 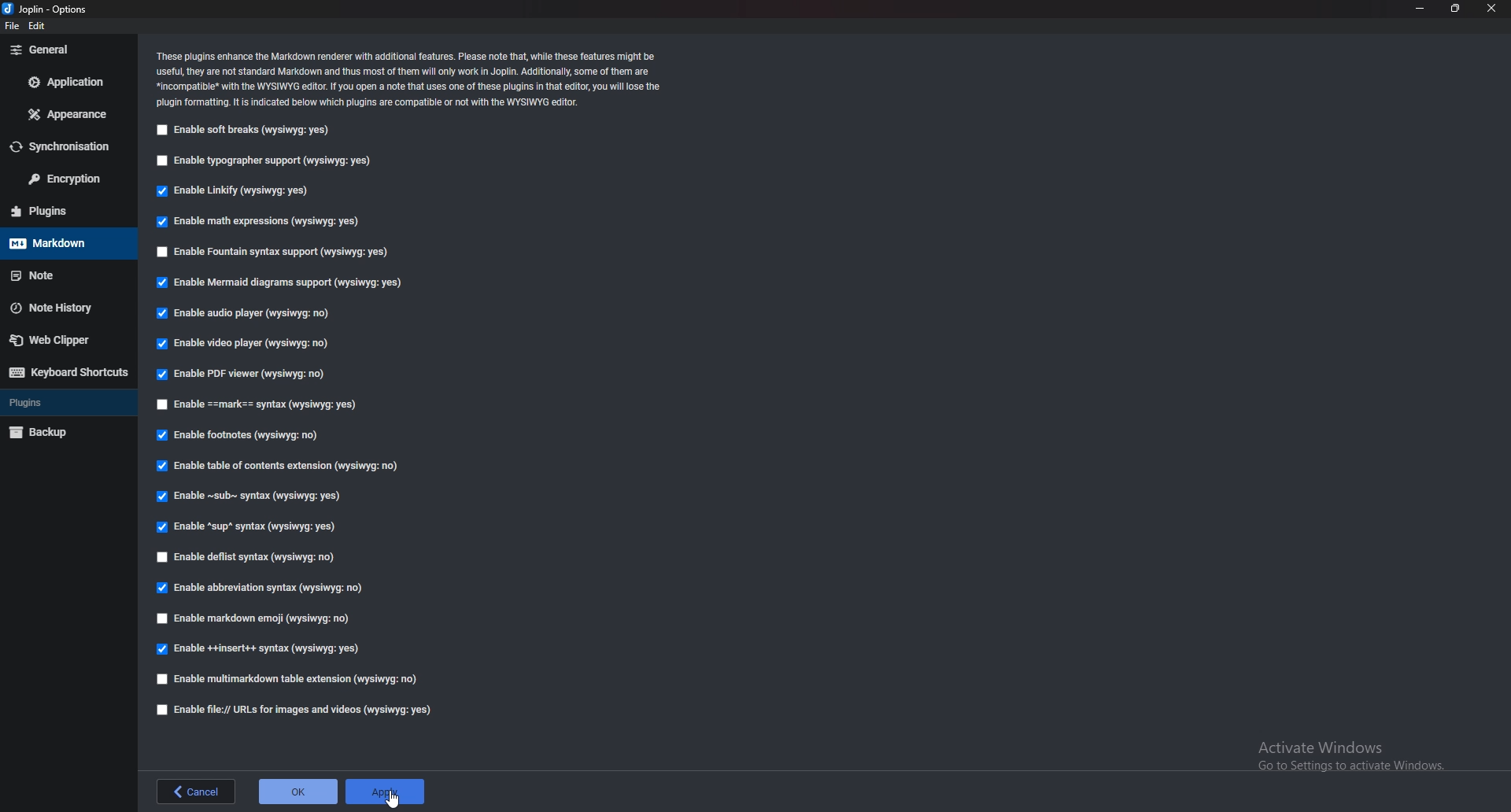 I want to click on resize, so click(x=1456, y=8).